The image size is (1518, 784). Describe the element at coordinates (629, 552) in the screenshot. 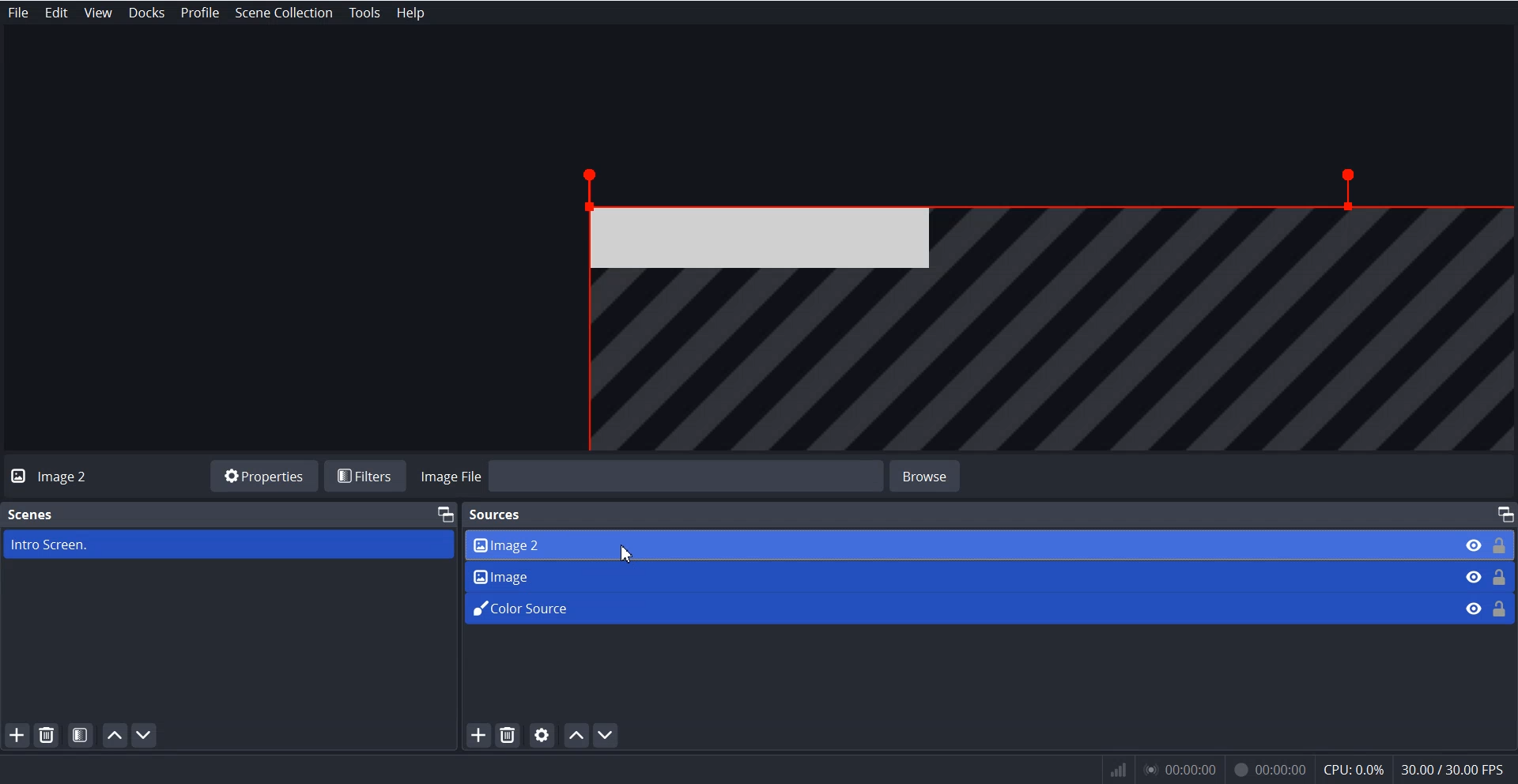

I see `Cursor` at that location.